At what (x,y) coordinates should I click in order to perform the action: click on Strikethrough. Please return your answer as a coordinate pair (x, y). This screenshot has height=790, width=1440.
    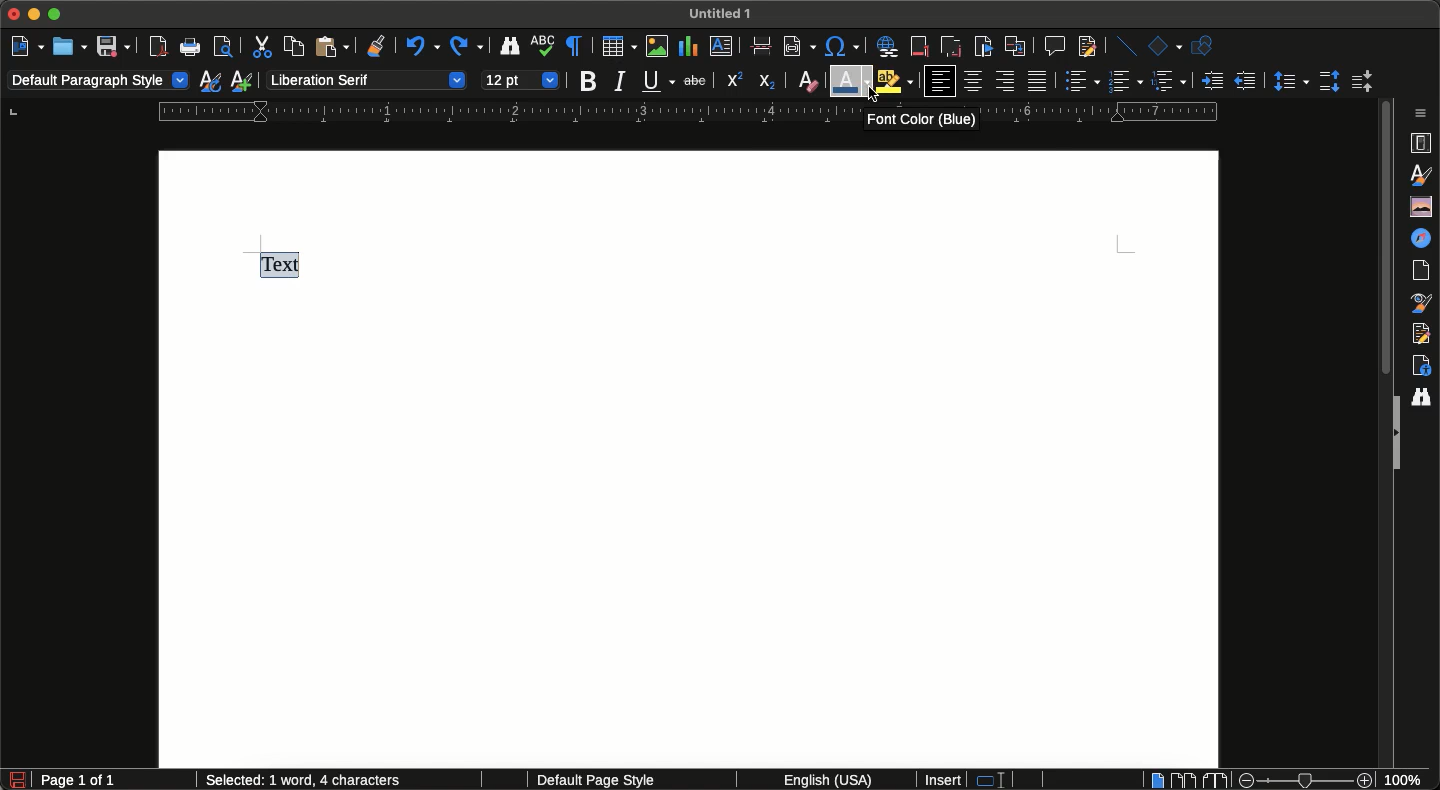
    Looking at the image, I should click on (693, 82).